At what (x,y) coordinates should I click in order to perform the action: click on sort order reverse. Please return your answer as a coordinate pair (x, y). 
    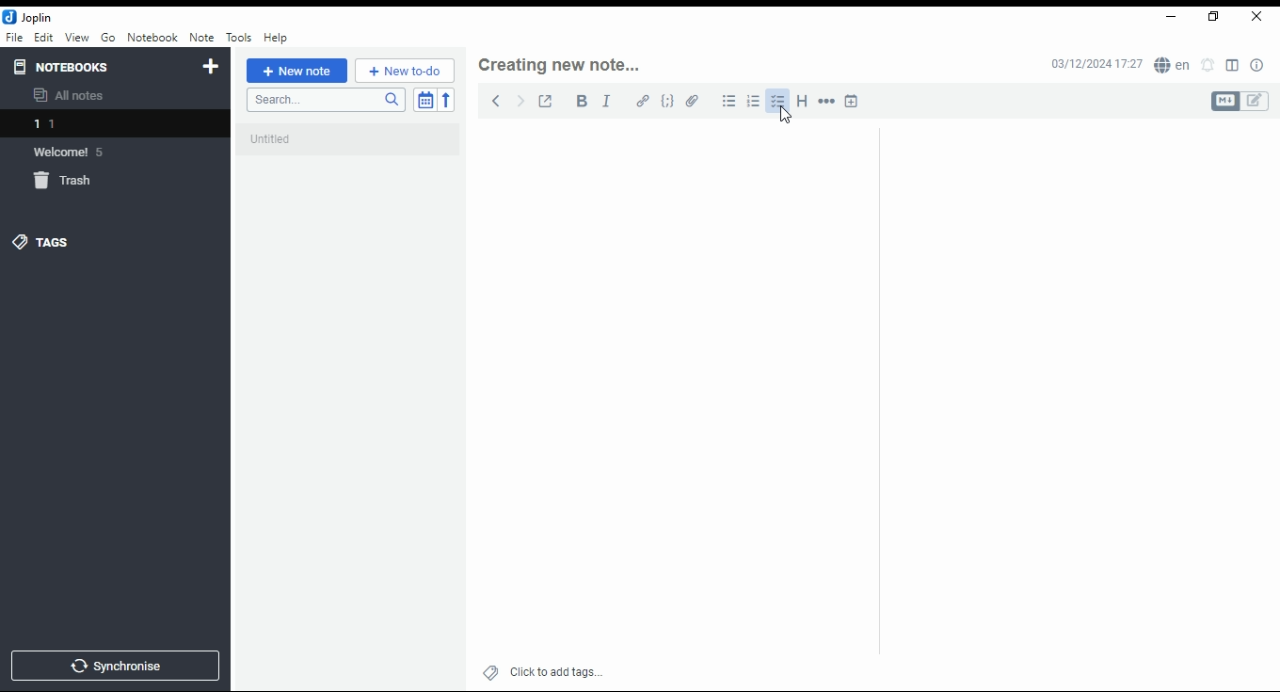
    Looking at the image, I should click on (446, 99).